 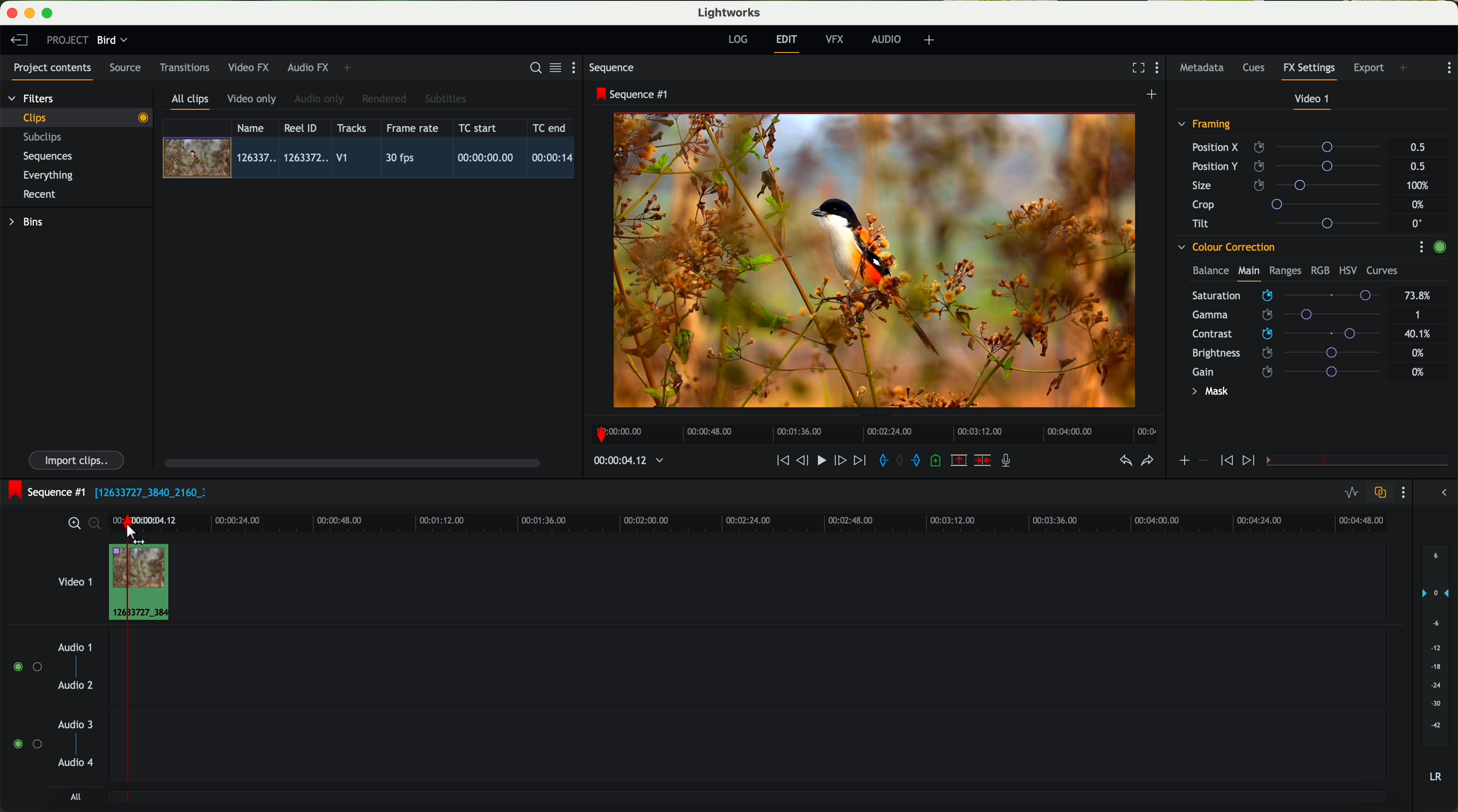 I want to click on fx settings, so click(x=1309, y=71).